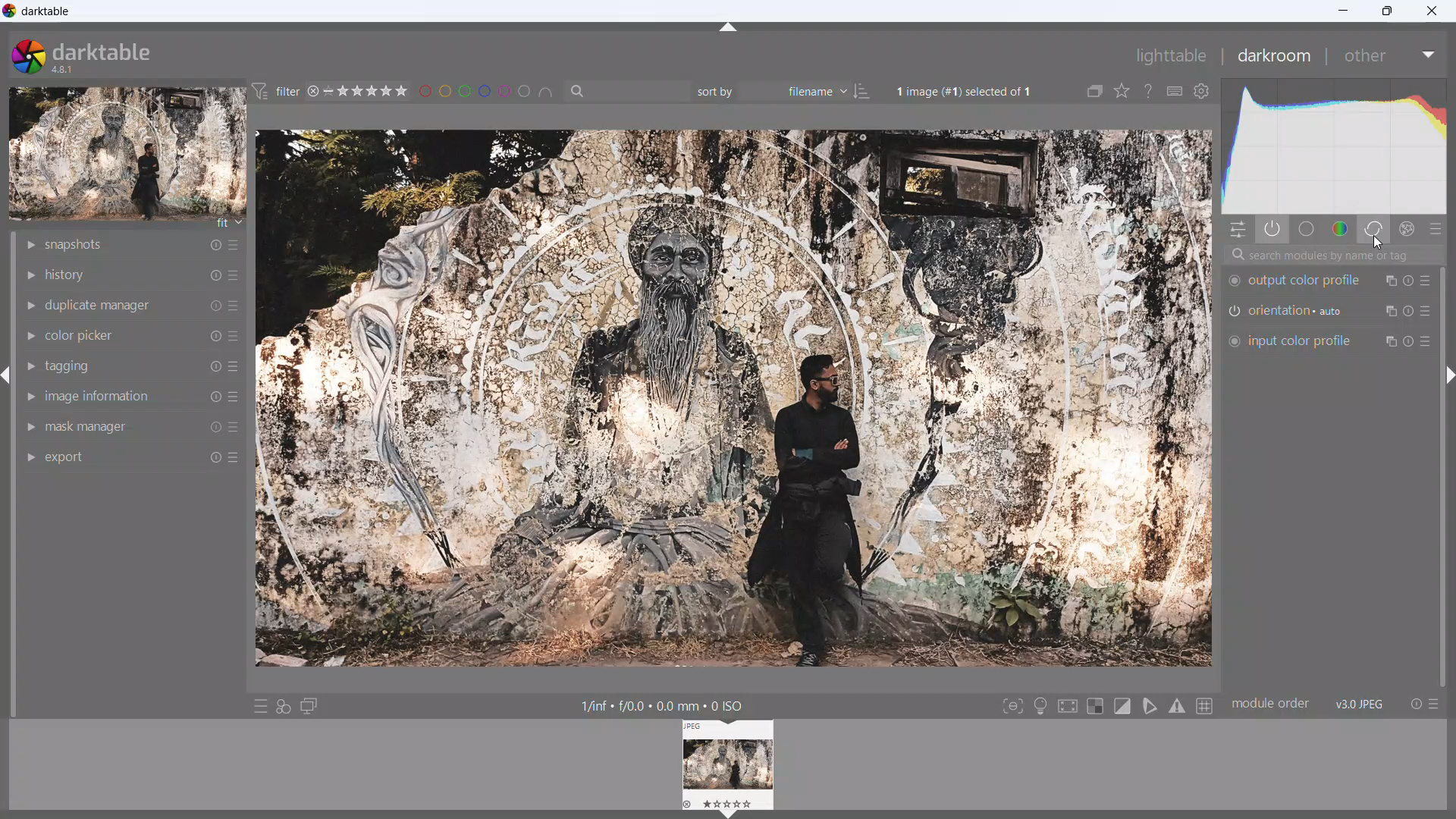 Image resolution: width=1456 pixels, height=819 pixels. Describe the element at coordinates (215, 275) in the screenshot. I see `reset` at that location.